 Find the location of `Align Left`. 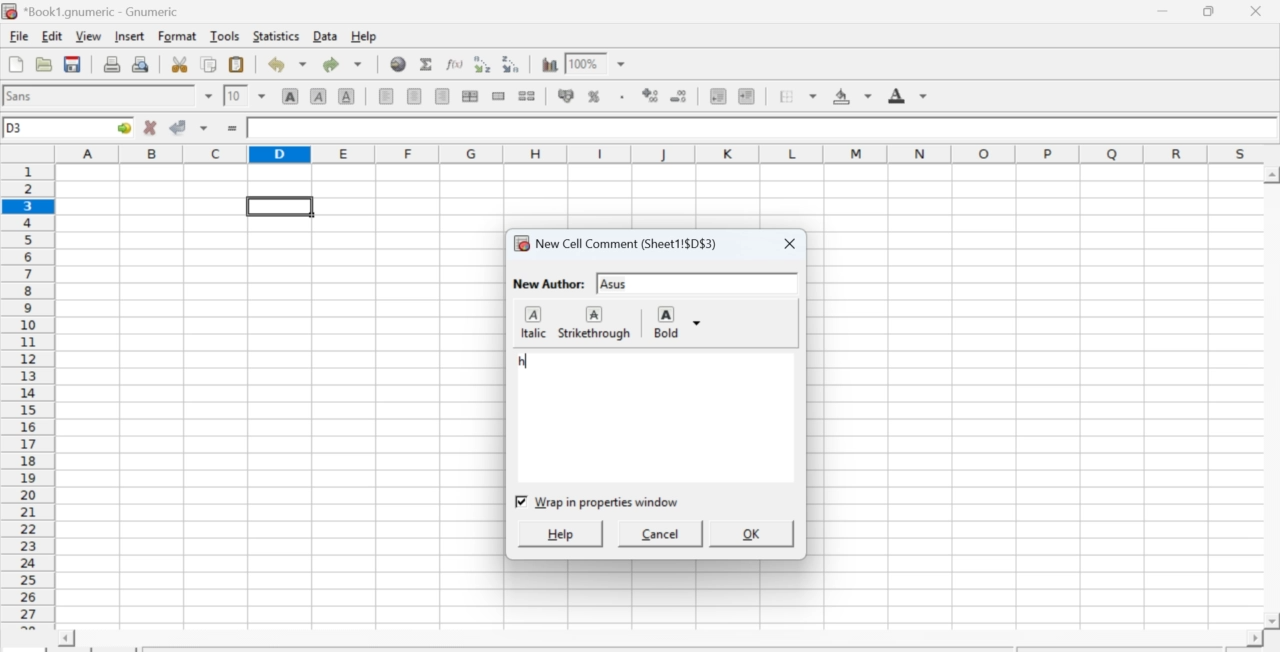

Align Left is located at coordinates (384, 97).